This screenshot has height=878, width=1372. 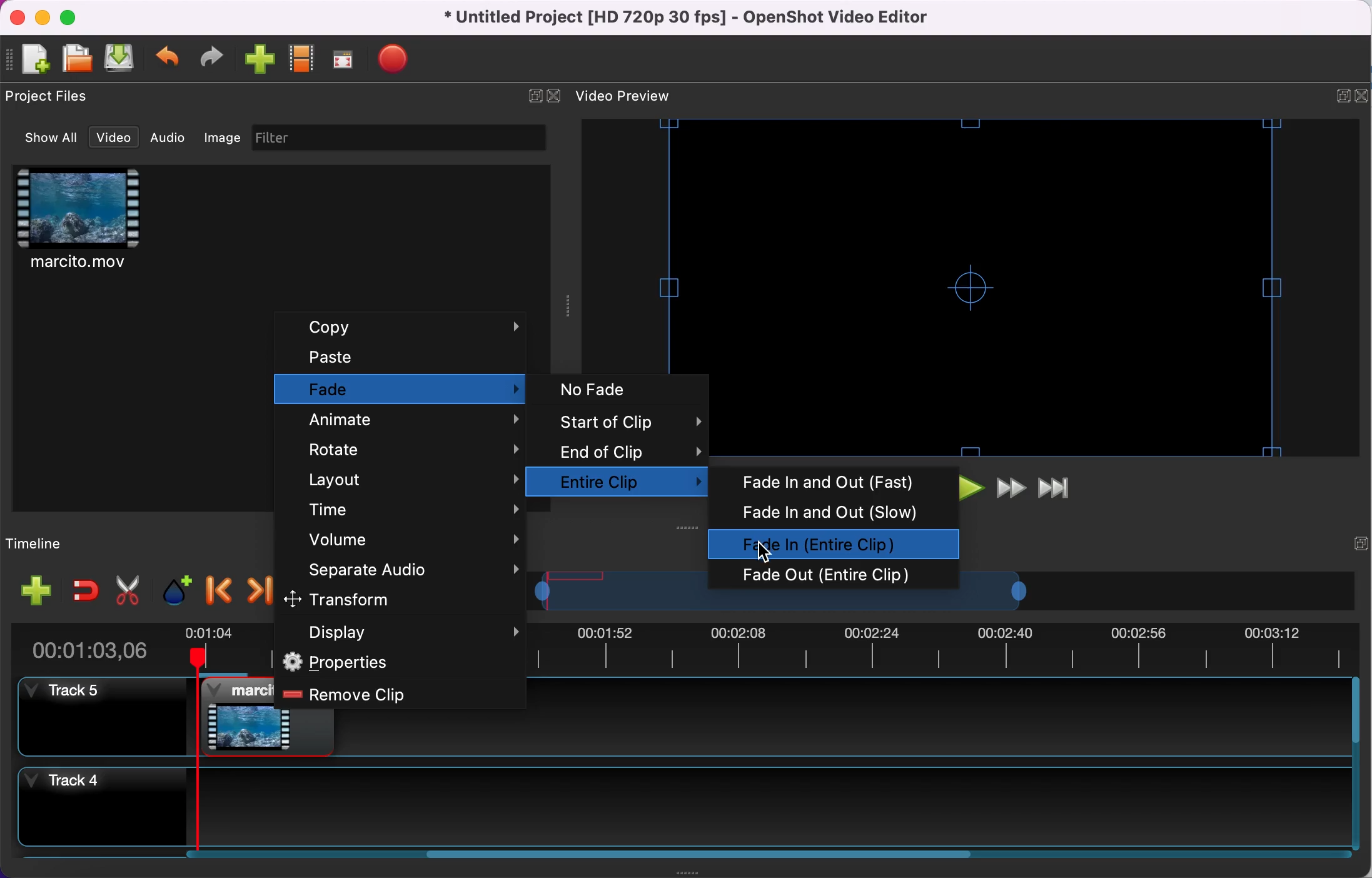 What do you see at coordinates (406, 450) in the screenshot?
I see `rotate` at bounding box center [406, 450].